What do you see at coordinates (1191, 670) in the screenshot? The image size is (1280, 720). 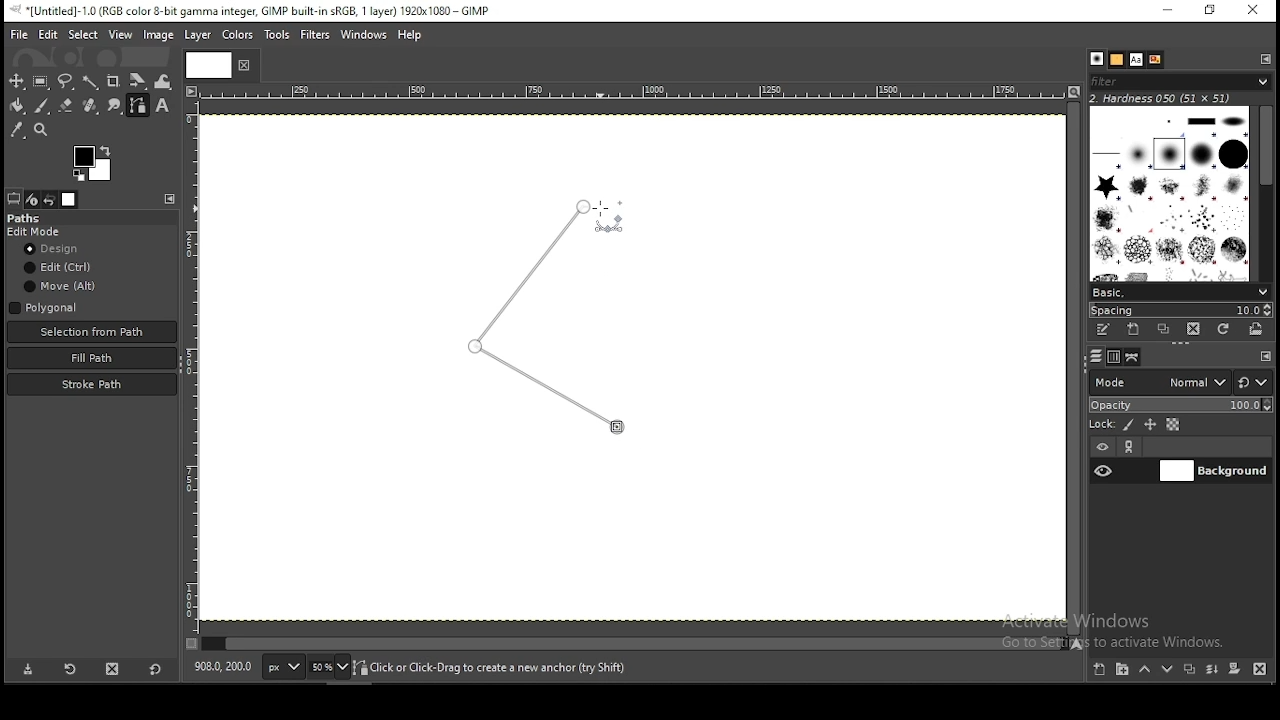 I see `duplicate layer` at bounding box center [1191, 670].